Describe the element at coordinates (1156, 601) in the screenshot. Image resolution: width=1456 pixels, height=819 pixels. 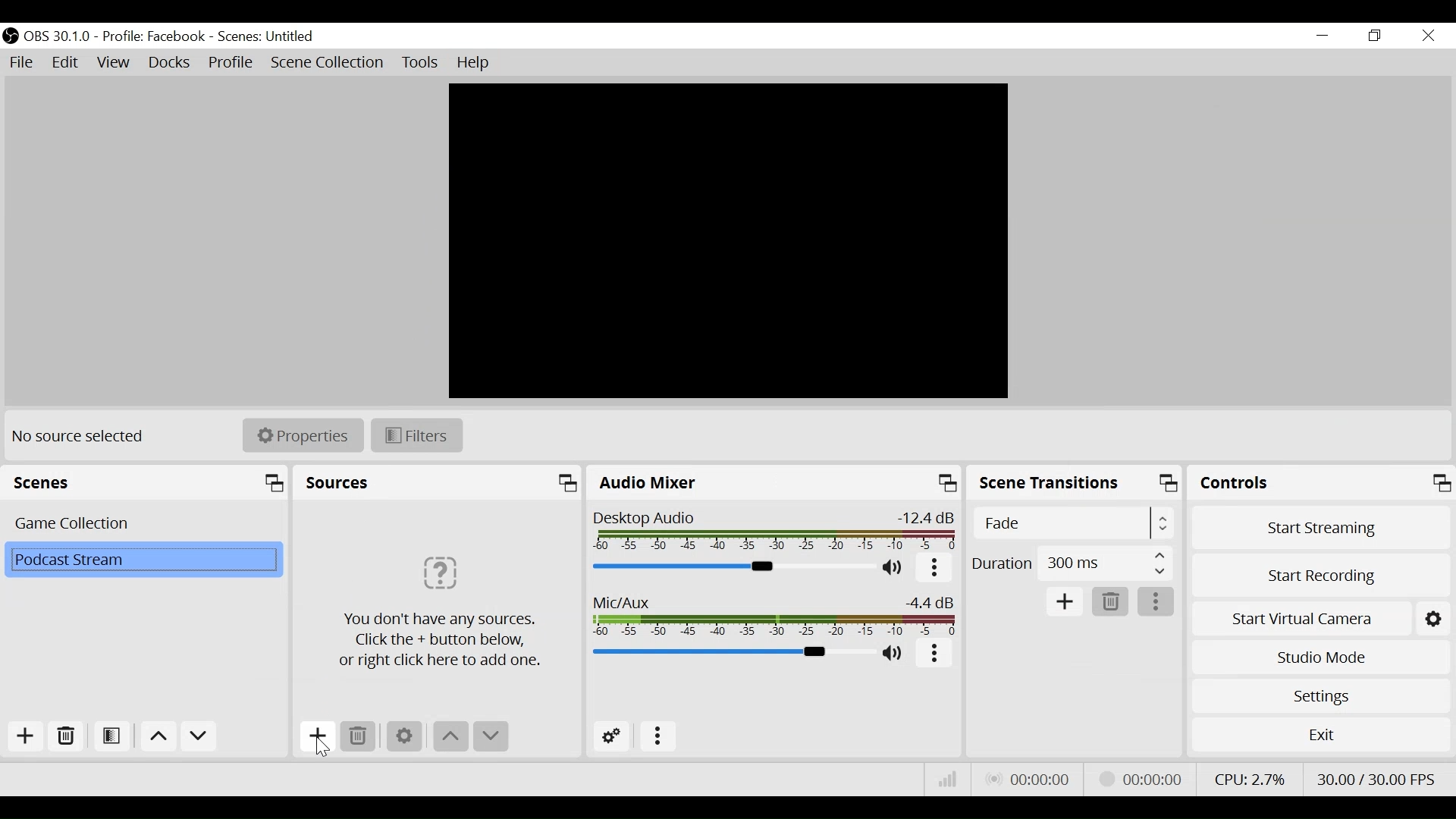
I see `More options` at that location.